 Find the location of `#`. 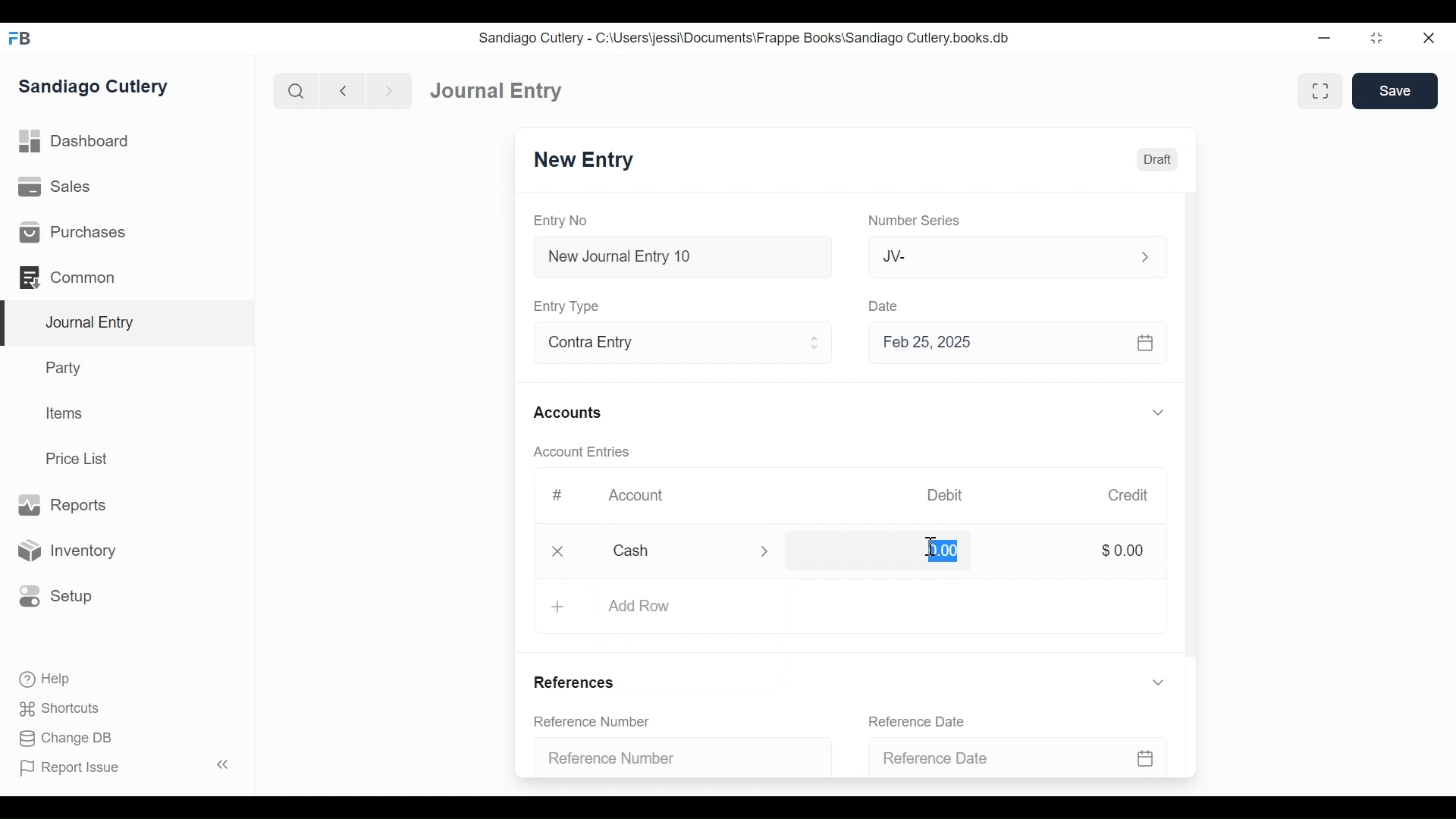

# is located at coordinates (560, 494).